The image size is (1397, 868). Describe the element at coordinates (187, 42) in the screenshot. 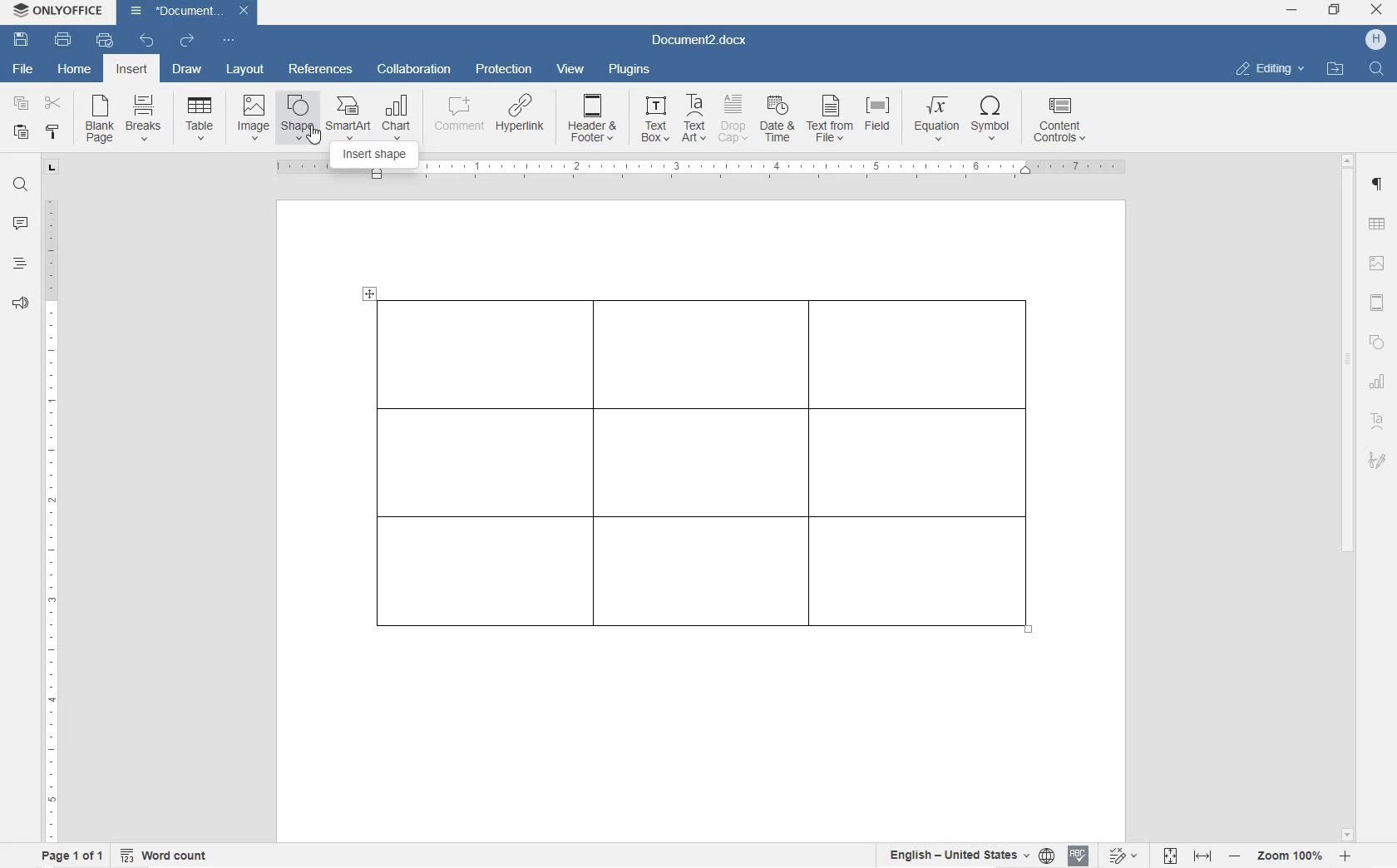

I see `redo` at that location.